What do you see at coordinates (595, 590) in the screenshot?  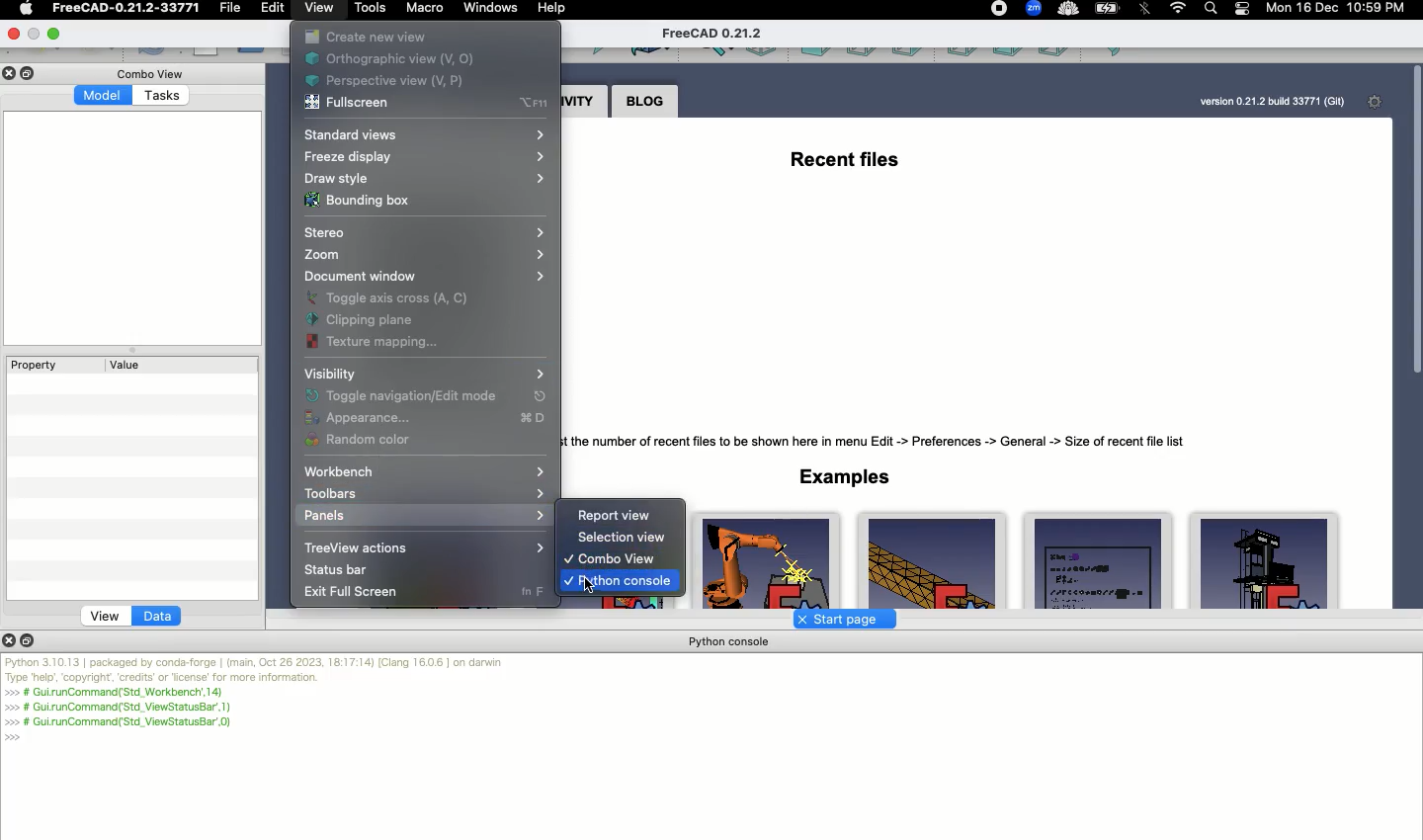 I see `Click` at bounding box center [595, 590].